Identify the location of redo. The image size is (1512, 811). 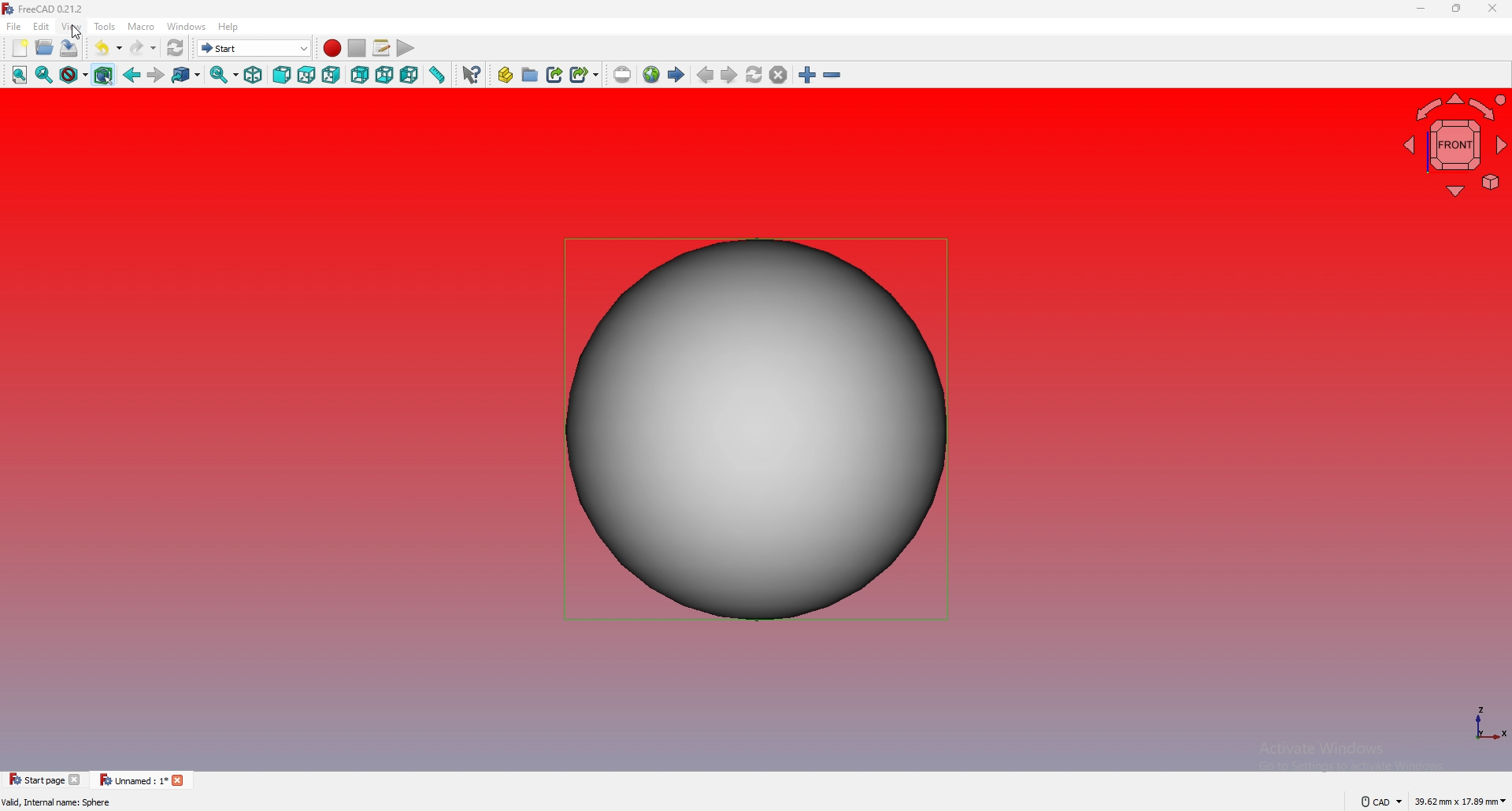
(144, 47).